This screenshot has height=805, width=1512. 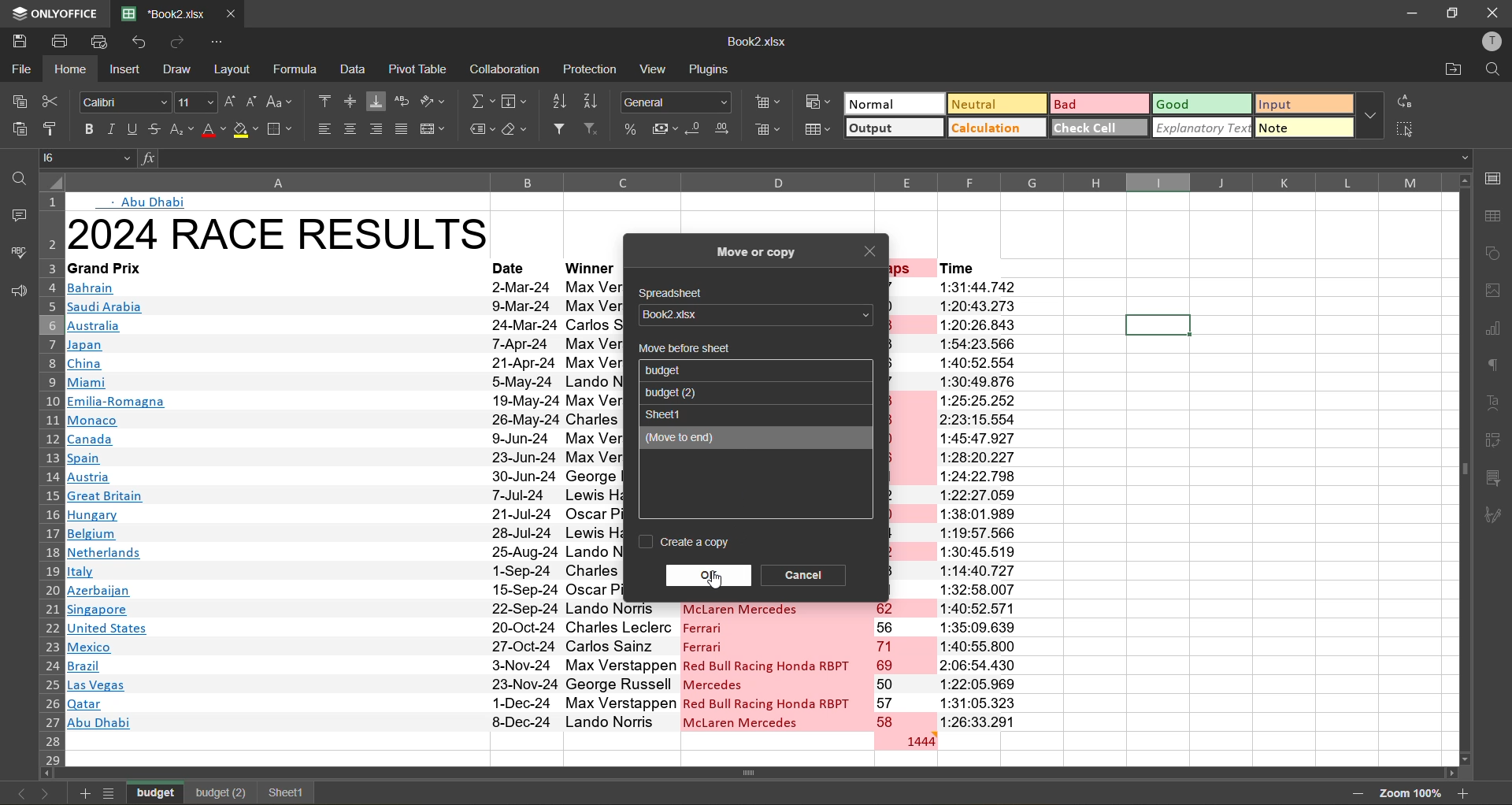 What do you see at coordinates (132, 132) in the screenshot?
I see `underline` at bounding box center [132, 132].